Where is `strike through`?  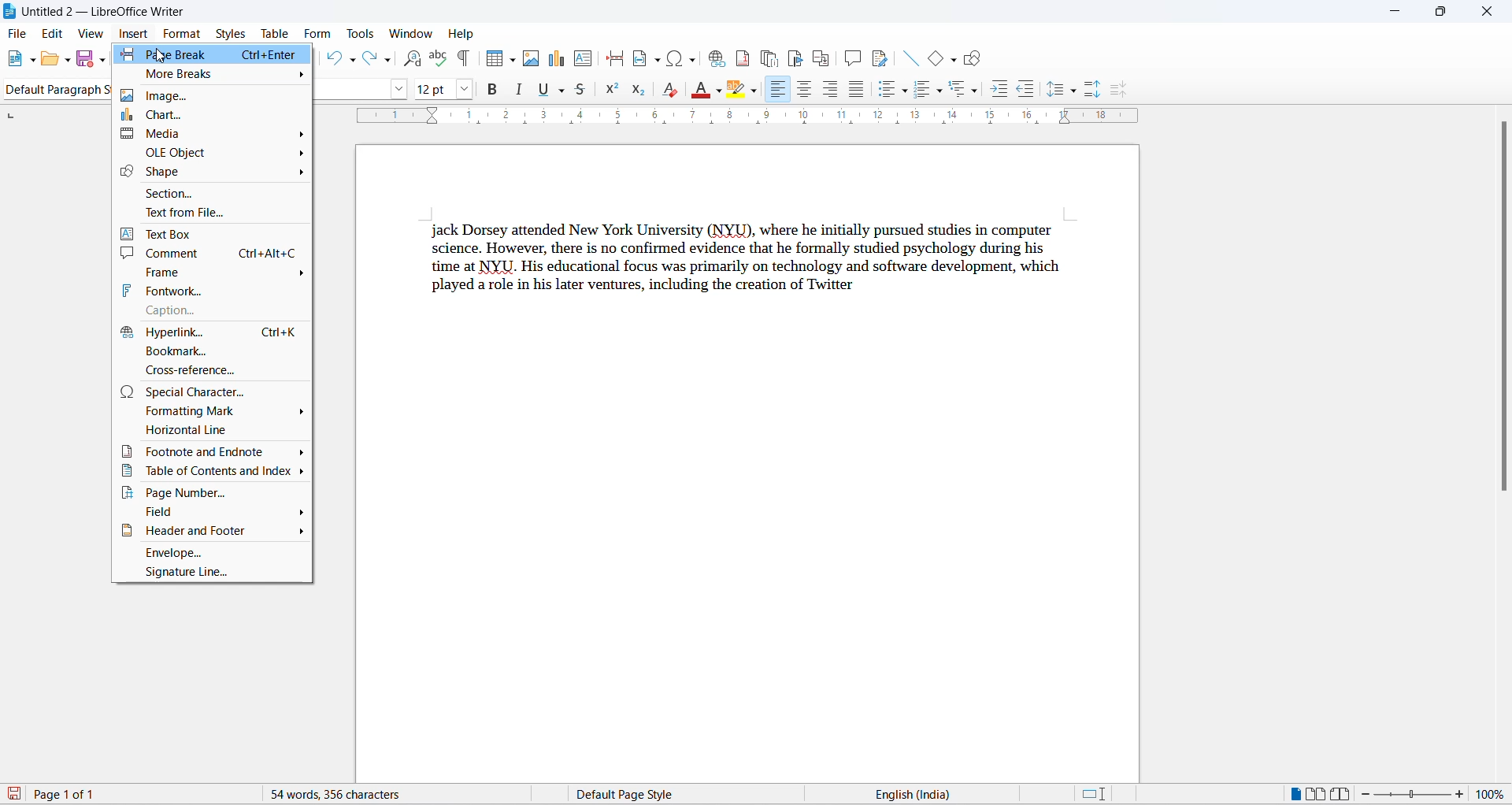
strike through is located at coordinates (584, 93).